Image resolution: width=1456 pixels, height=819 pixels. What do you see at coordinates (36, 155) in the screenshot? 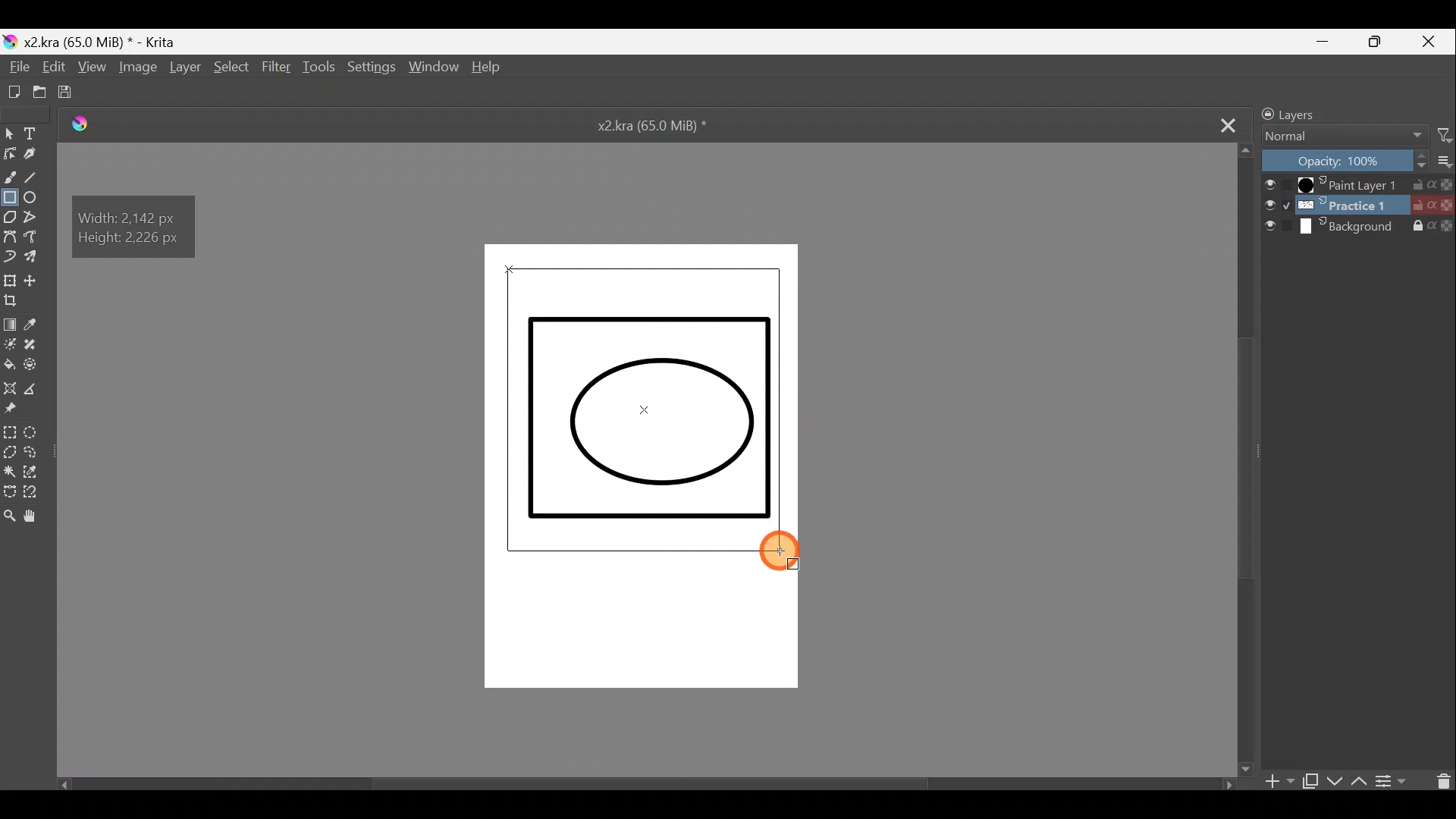
I see `Calligraphy` at bounding box center [36, 155].